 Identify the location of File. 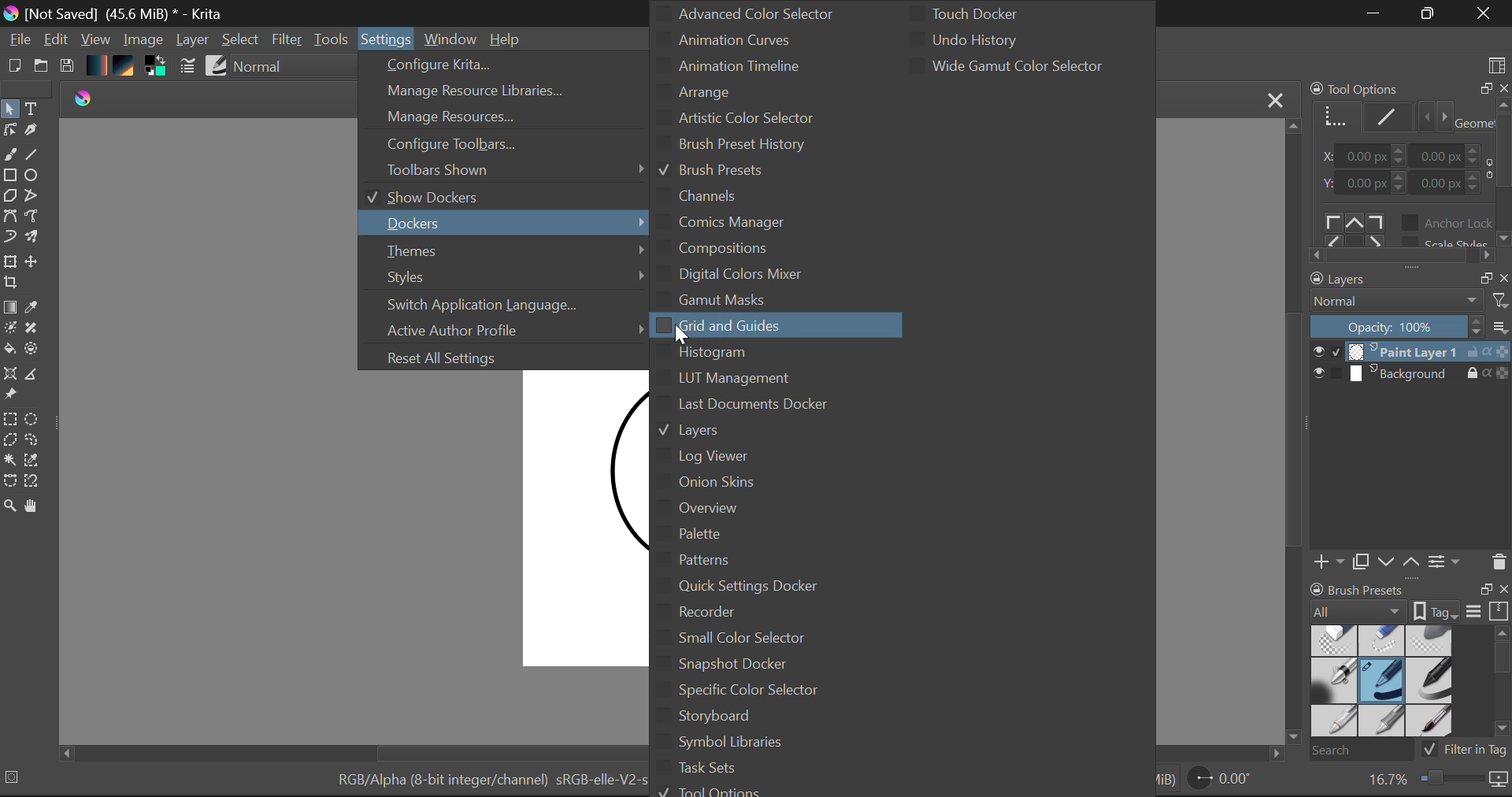
(18, 39).